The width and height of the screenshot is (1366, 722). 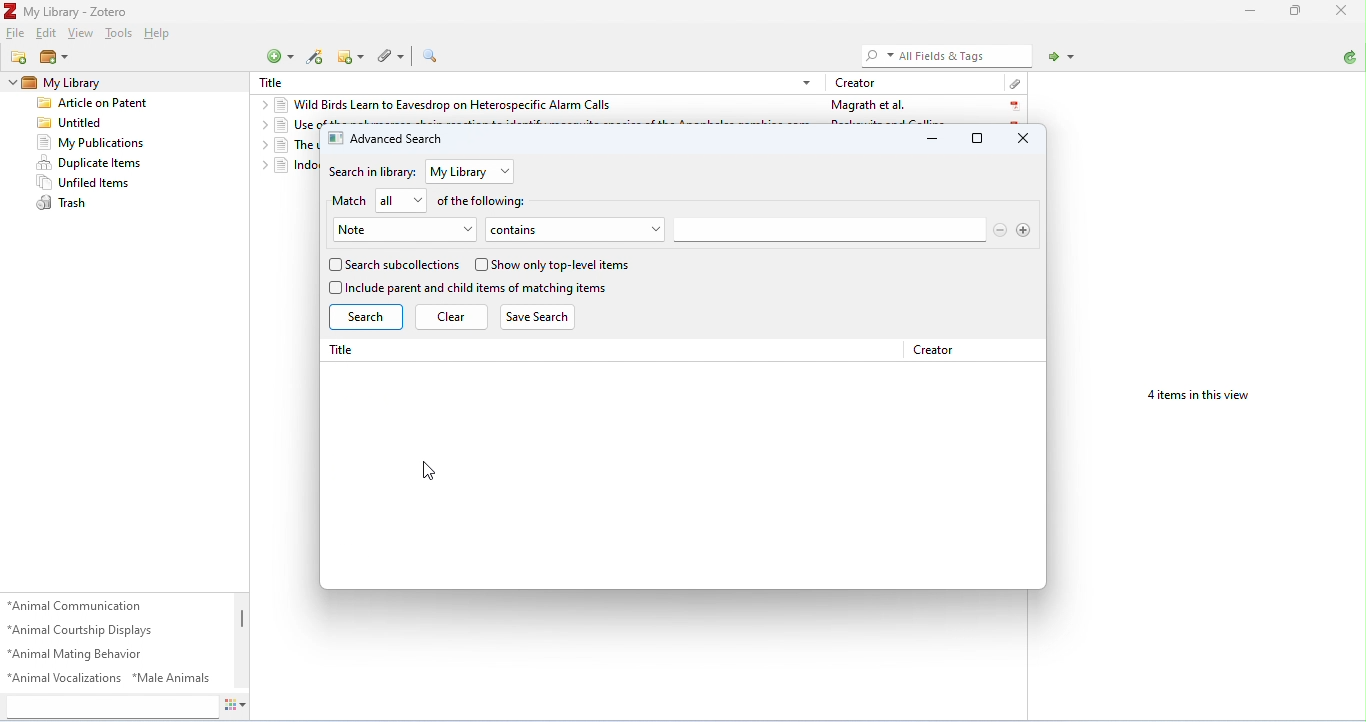 What do you see at coordinates (1000, 229) in the screenshot?
I see `remove search options` at bounding box center [1000, 229].